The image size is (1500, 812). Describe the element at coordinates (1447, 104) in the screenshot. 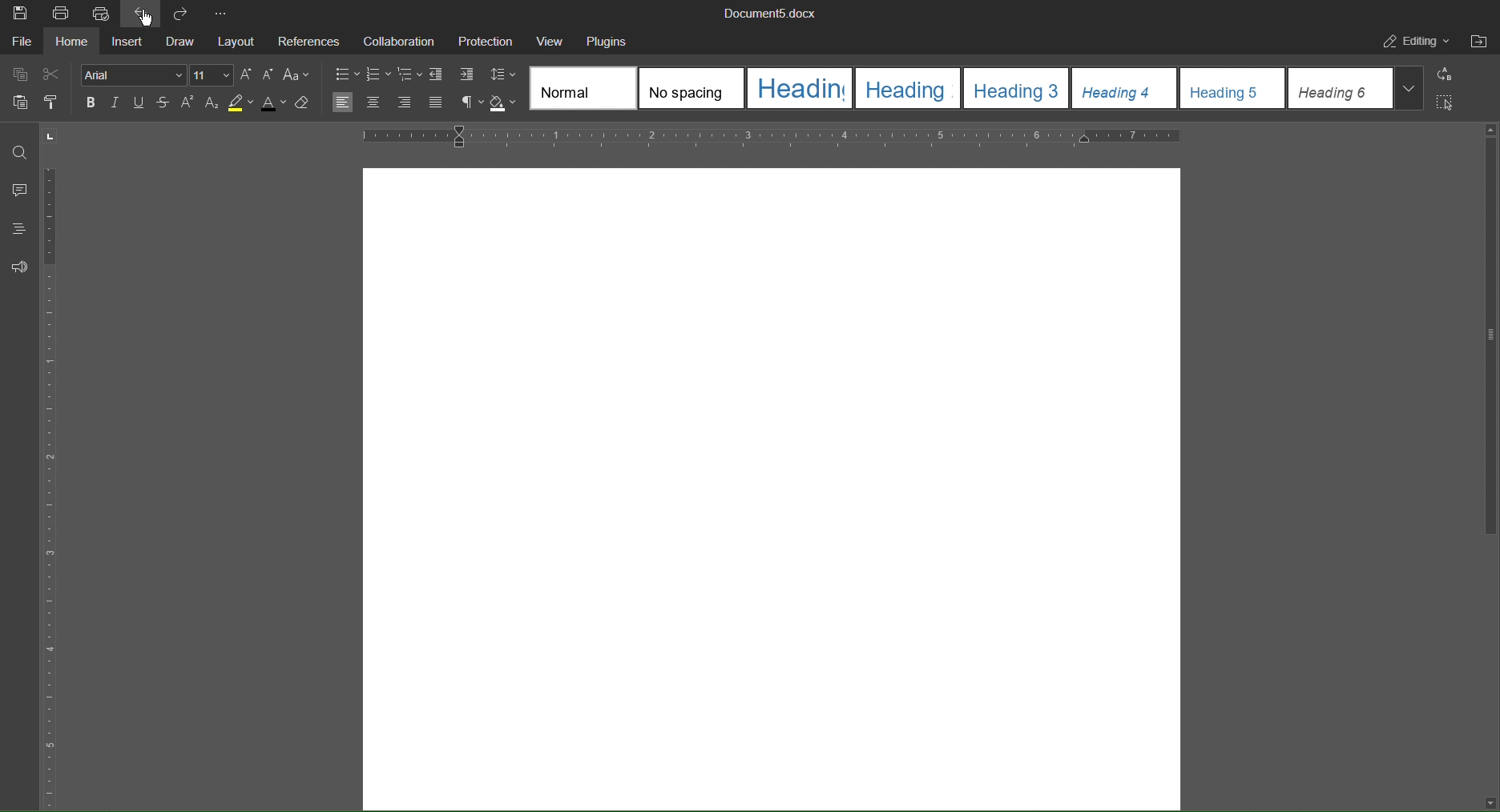

I see `Select All` at that location.